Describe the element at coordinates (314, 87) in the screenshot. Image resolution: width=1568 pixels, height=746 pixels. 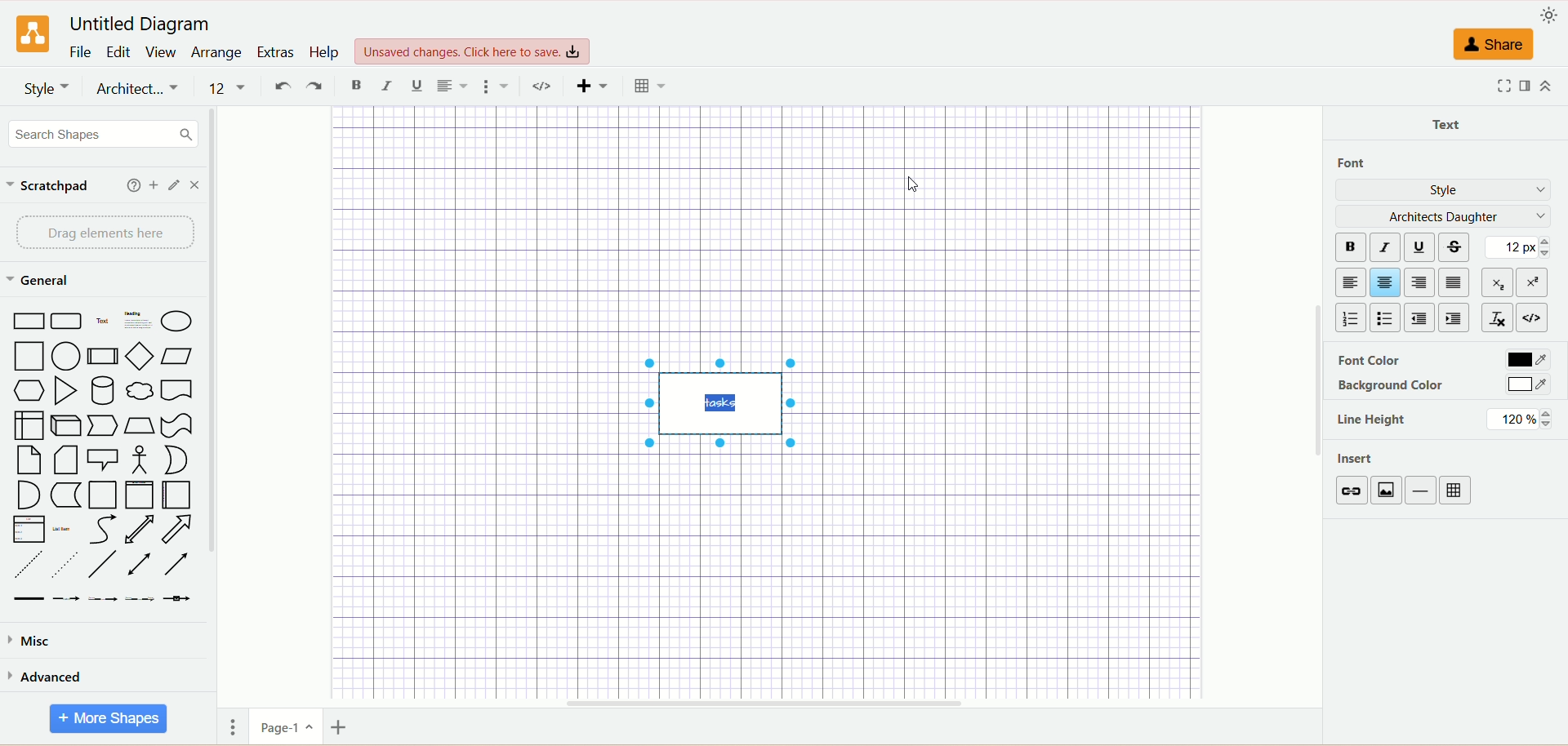
I see `Redo` at that location.